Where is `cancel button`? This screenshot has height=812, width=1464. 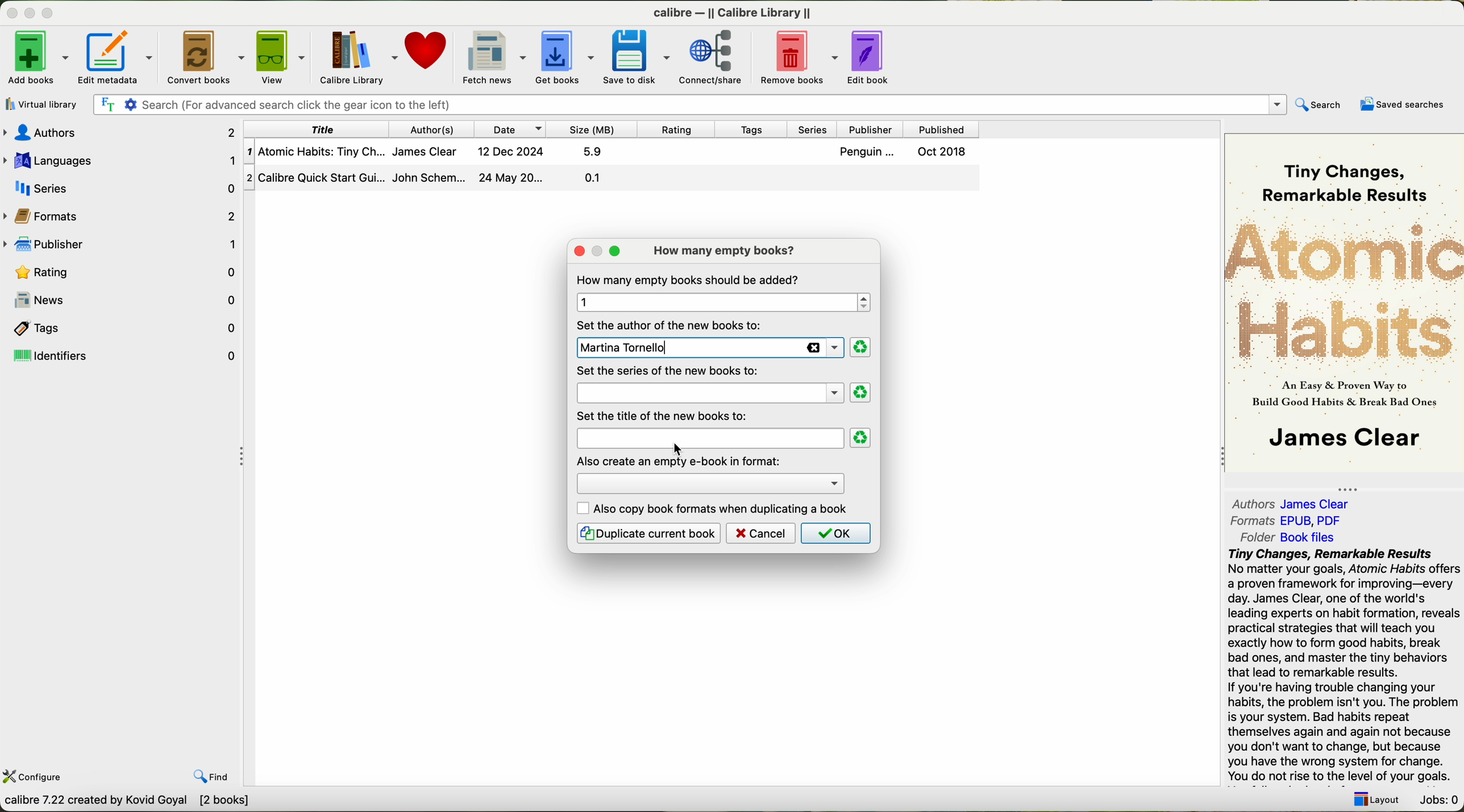 cancel button is located at coordinates (761, 533).